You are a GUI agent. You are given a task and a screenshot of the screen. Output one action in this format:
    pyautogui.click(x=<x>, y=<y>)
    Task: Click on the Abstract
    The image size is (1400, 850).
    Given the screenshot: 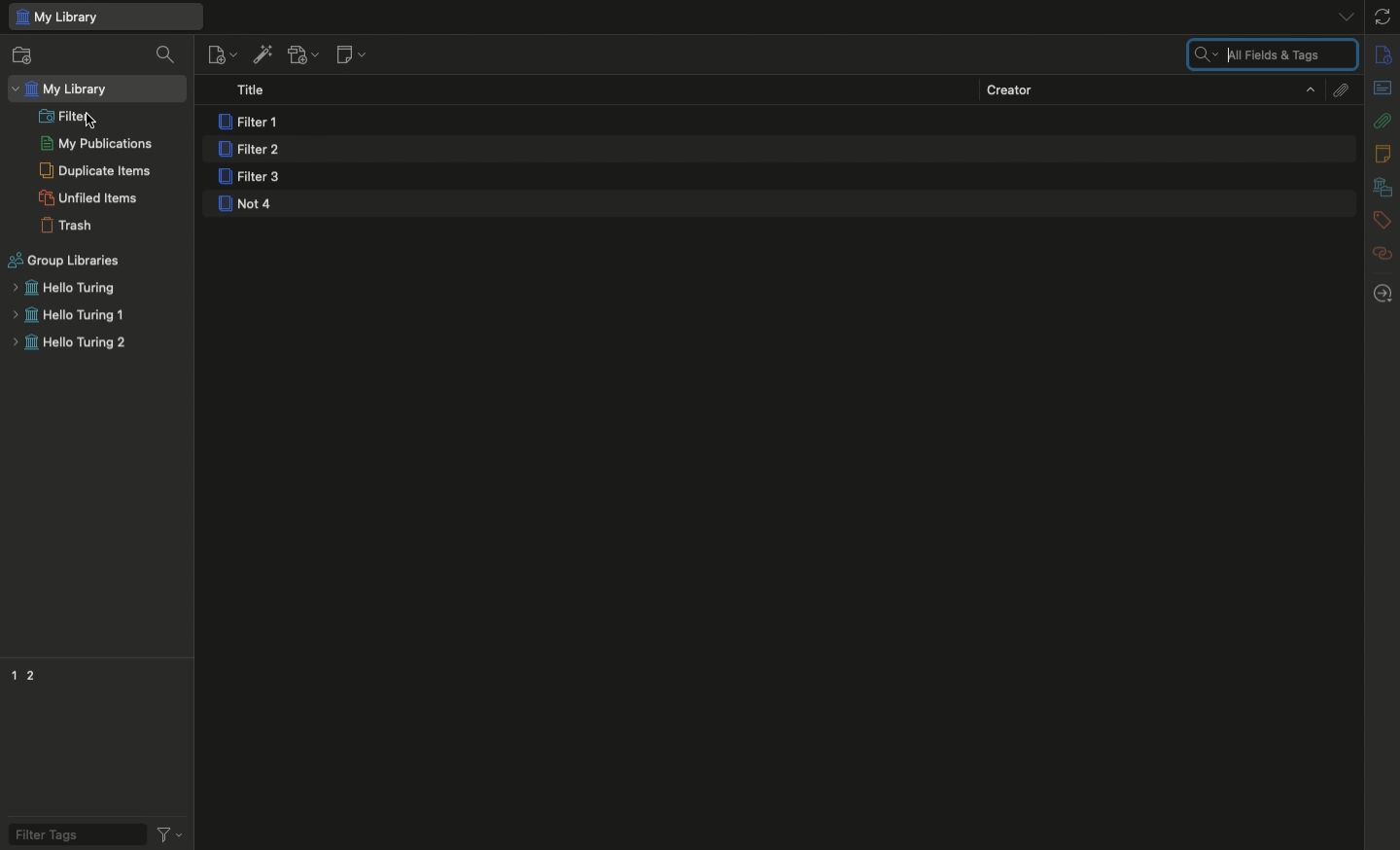 What is the action you would take?
    pyautogui.click(x=1382, y=89)
    